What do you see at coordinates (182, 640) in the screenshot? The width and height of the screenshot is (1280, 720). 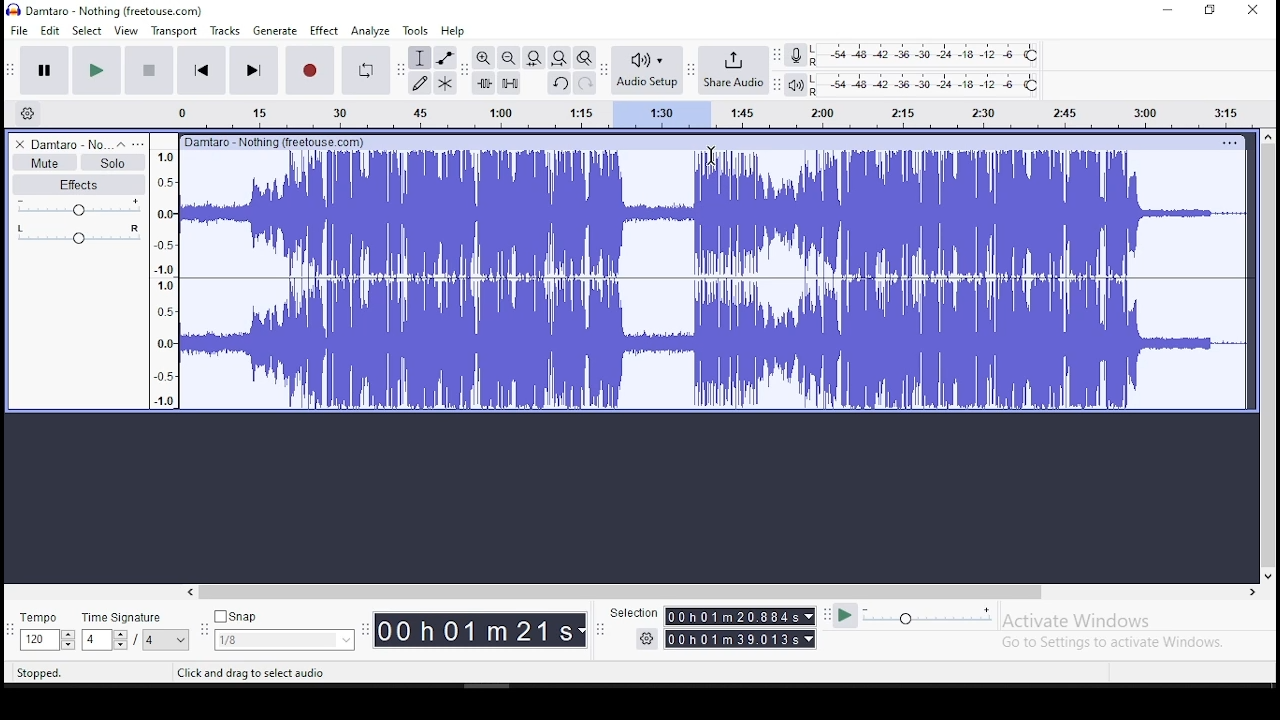 I see `drop down` at bounding box center [182, 640].